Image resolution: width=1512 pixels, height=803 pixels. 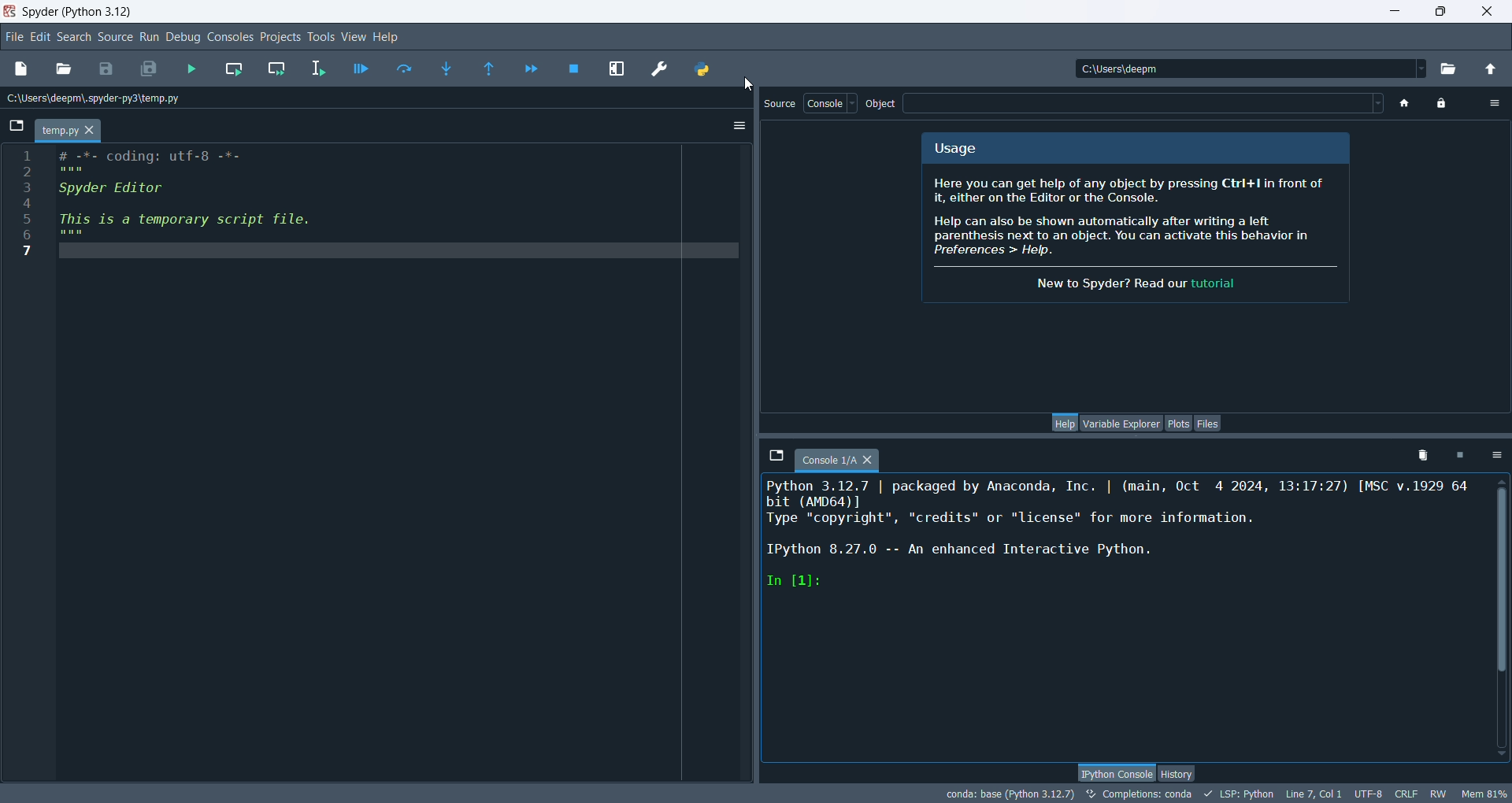 What do you see at coordinates (1406, 794) in the screenshot?
I see `CRLF` at bounding box center [1406, 794].